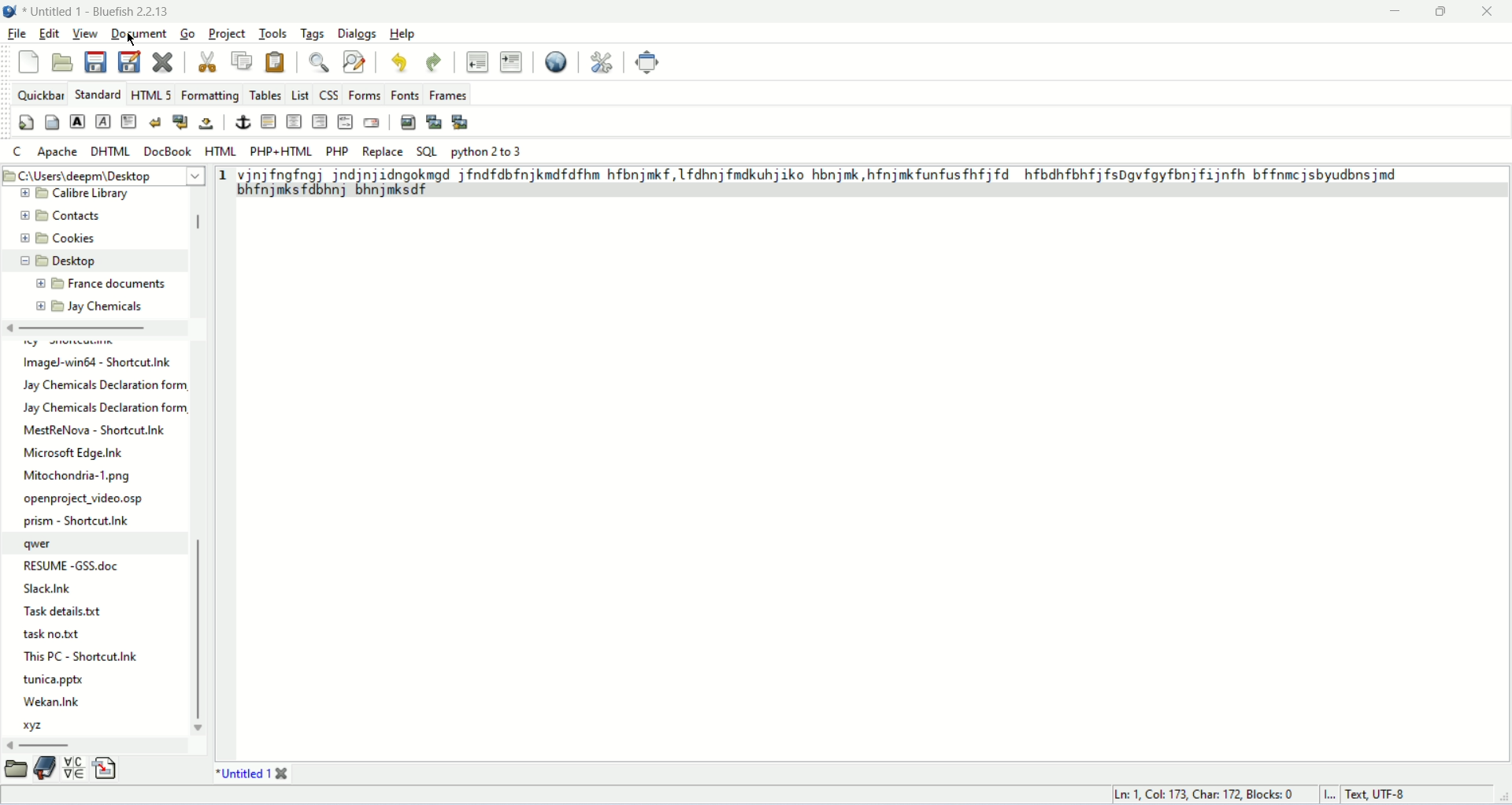 The height and width of the screenshot is (805, 1512). What do you see at coordinates (85, 500) in the screenshot?
I see `openproject_video.osp` at bounding box center [85, 500].